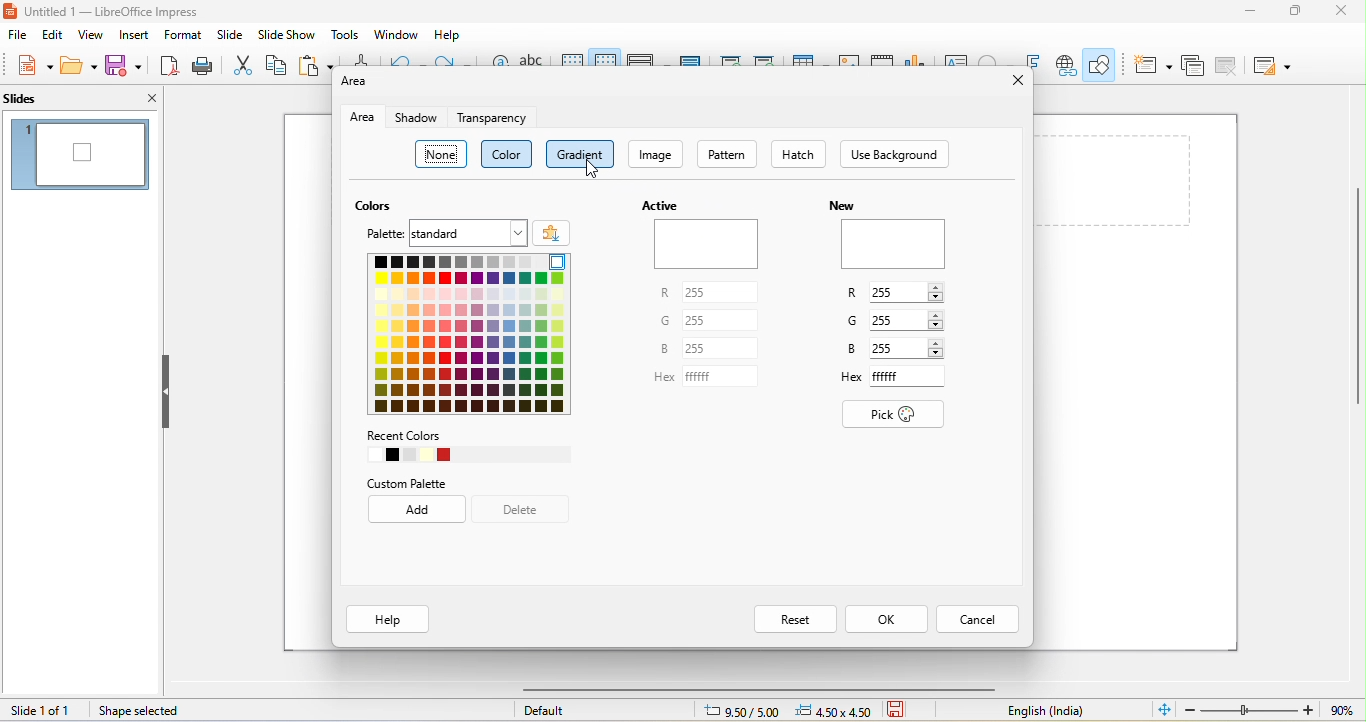  What do you see at coordinates (230, 35) in the screenshot?
I see `slide` at bounding box center [230, 35].